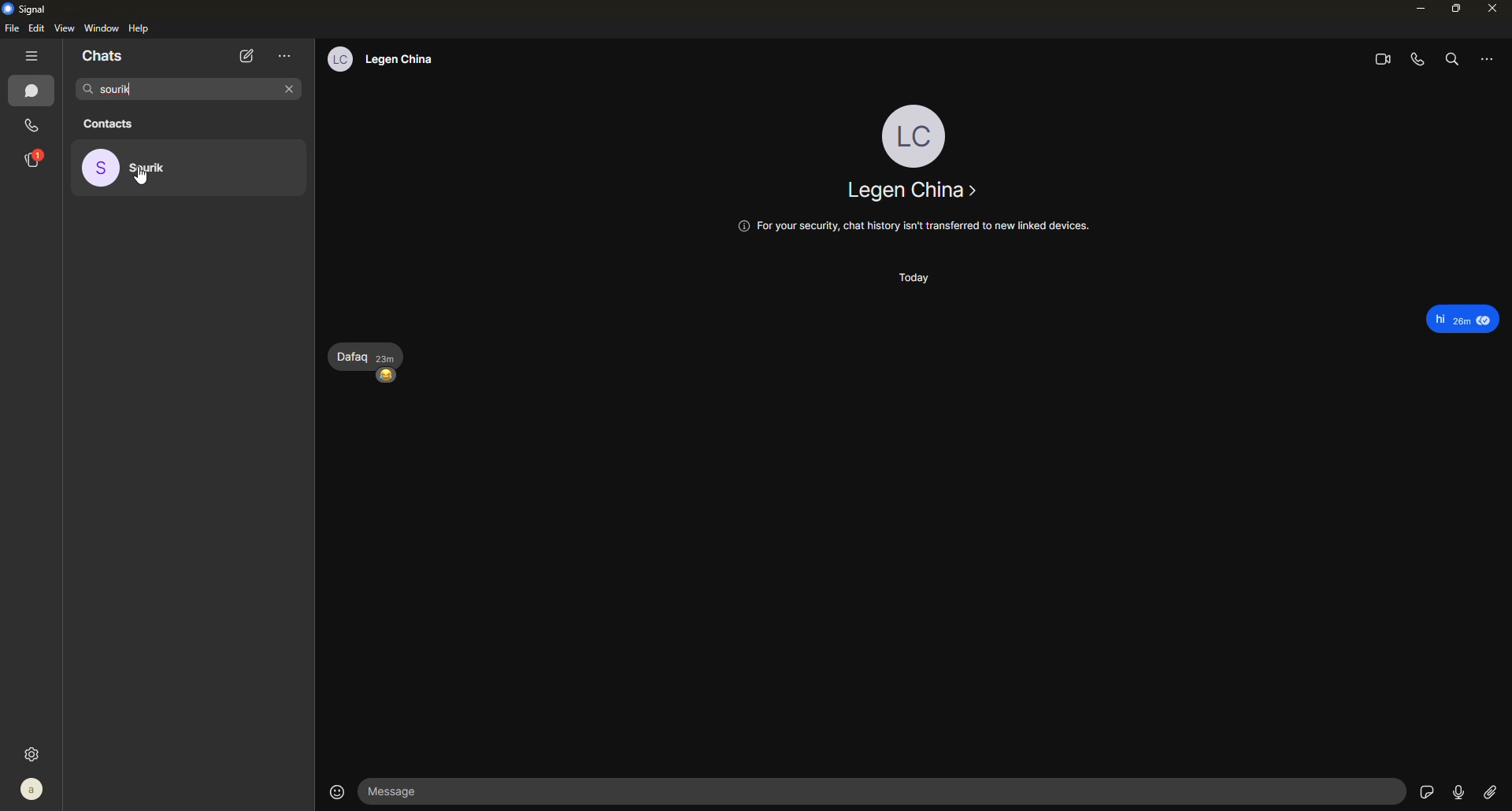 The image size is (1512, 811). What do you see at coordinates (287, 89) in the screenshot?
I see `close` at bounding box center [287, 89].